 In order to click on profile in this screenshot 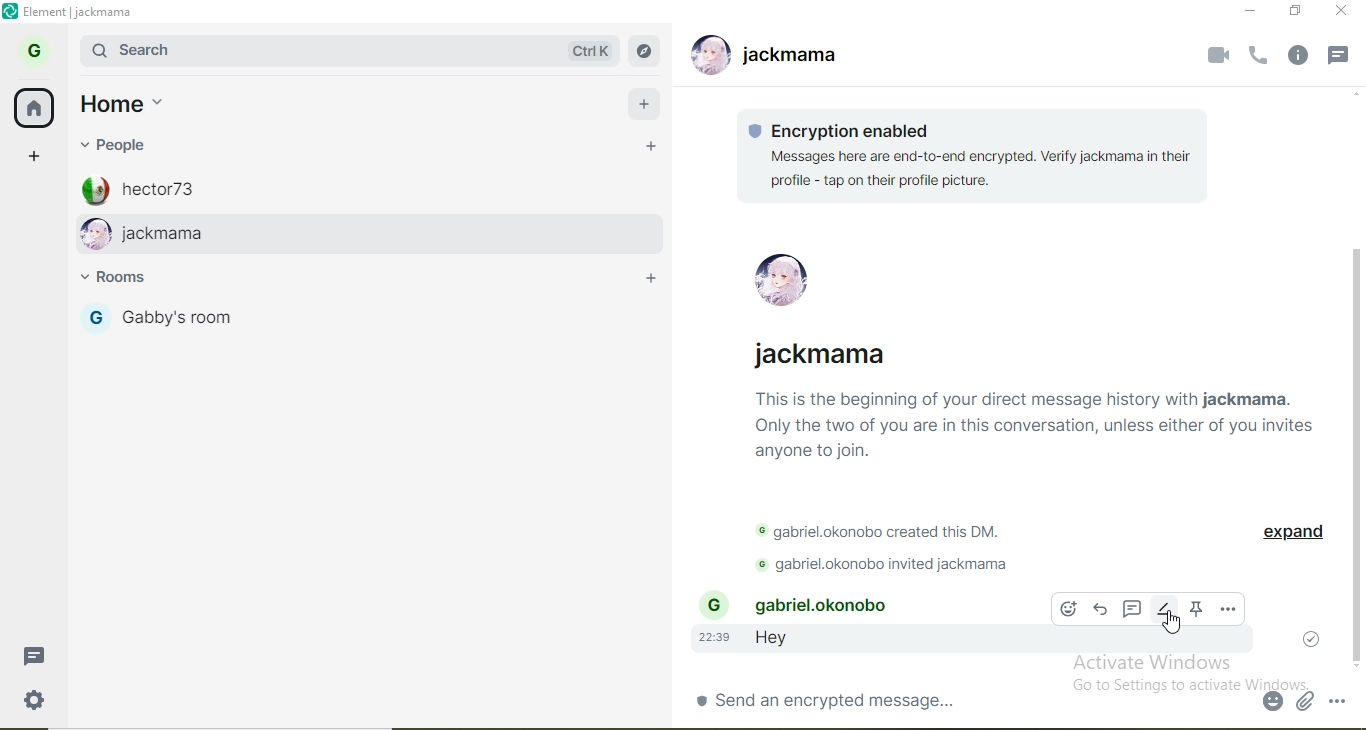, I will do `click(31, 55)`.